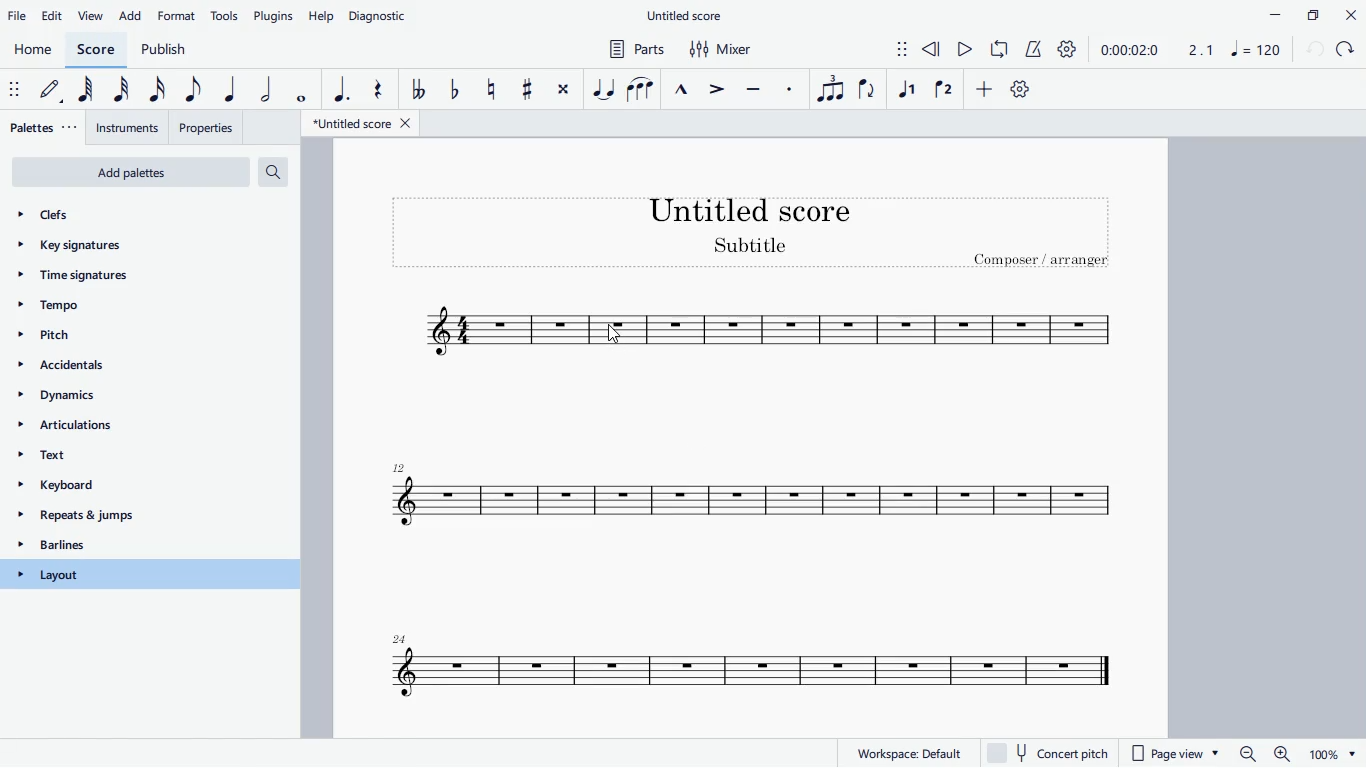 This screenshot has width=1366, height=768. Describe the element at coordinates (492, 88) in the screenshot. I see `toggle natural` at that location.